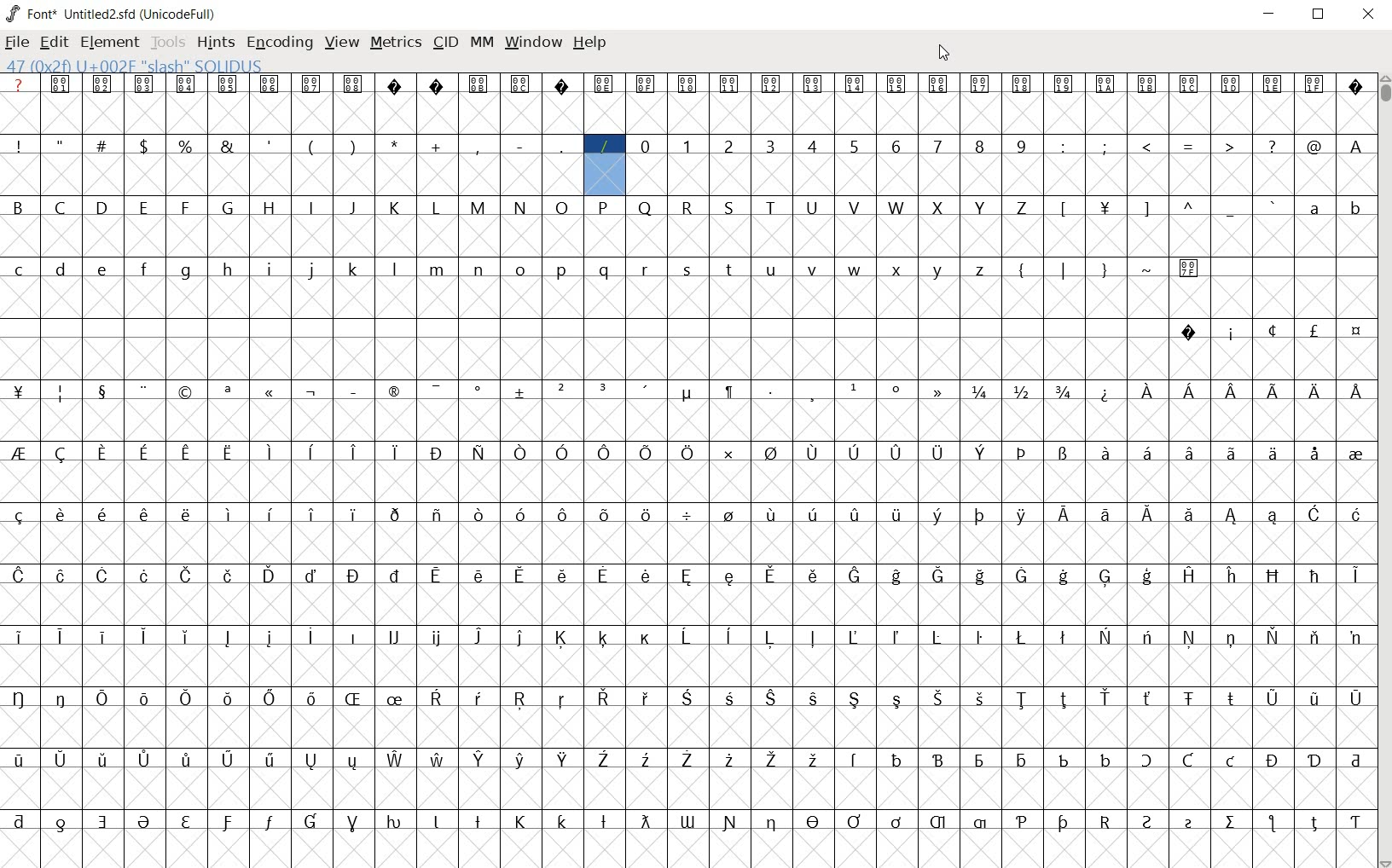 Image resolution: width=1392 pixels, height=868 pixels. What do you see at coordinates (1315, 637) in the screenshot?
I see `glyph` at bounding box center [1315, 637].